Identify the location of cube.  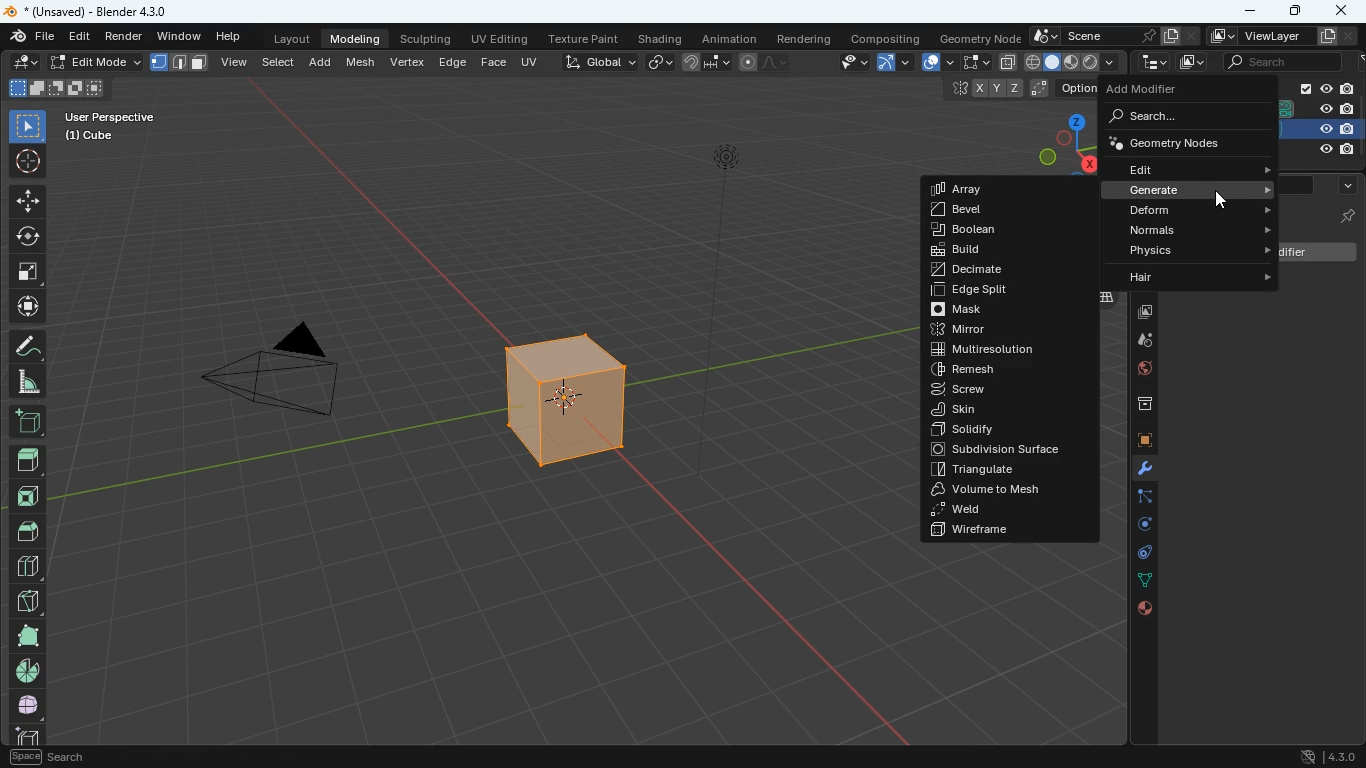
(1346, 217).